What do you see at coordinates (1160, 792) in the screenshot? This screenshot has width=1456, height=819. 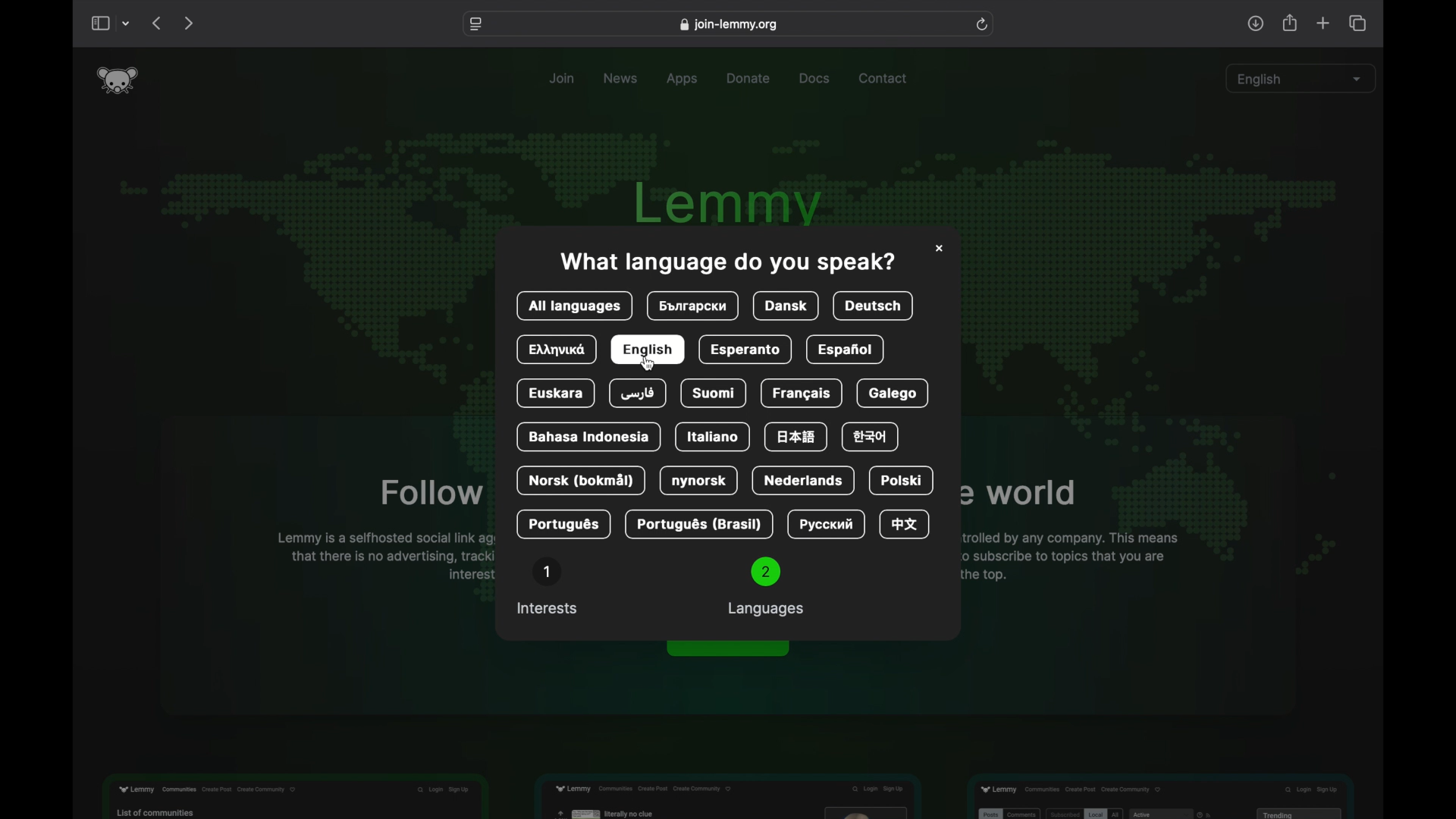 I see `feature preview` at bounding box center [1160, 792].